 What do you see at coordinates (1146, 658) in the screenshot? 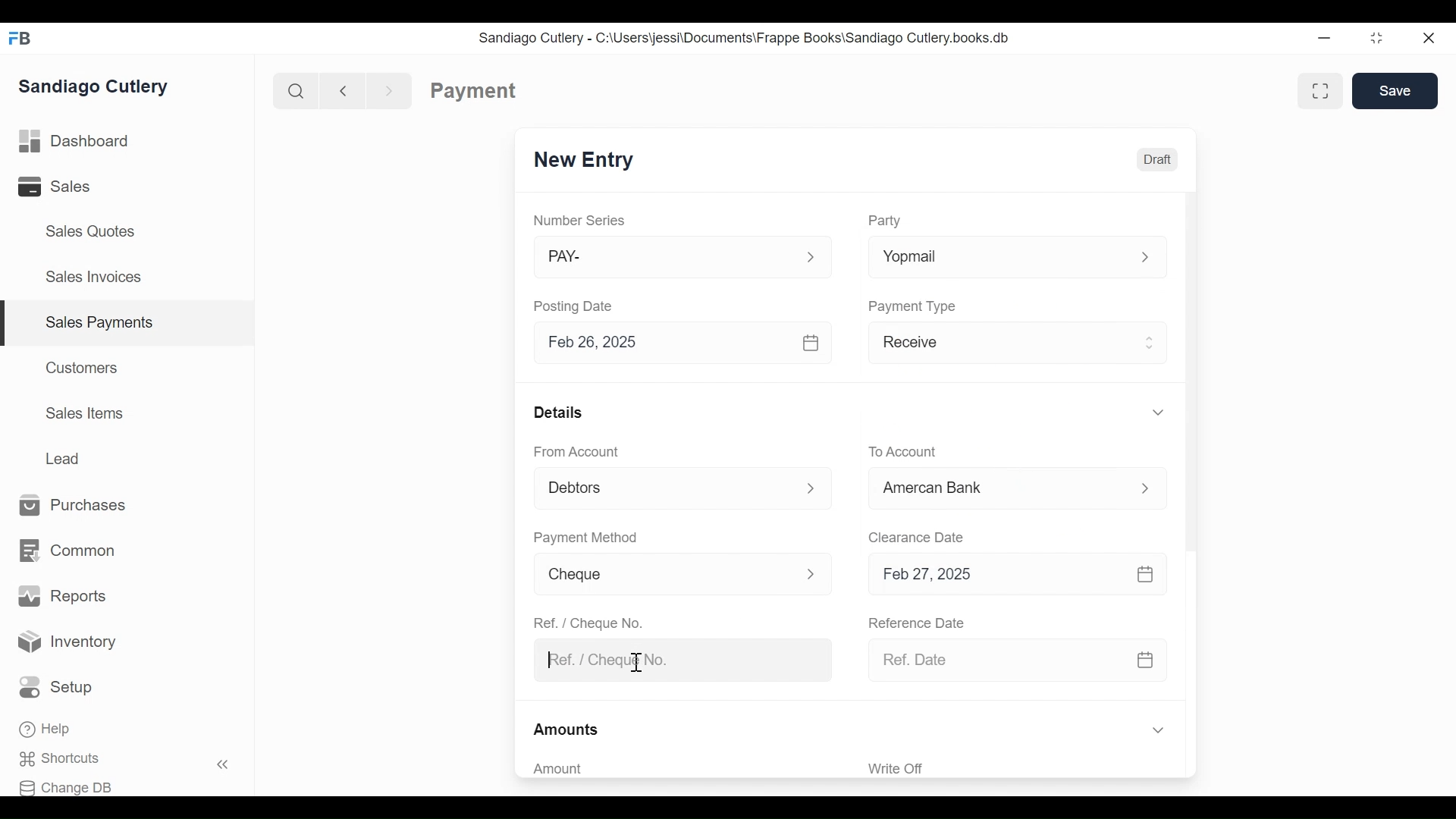
I see `Calendar` at bounding box center [1146, 658].